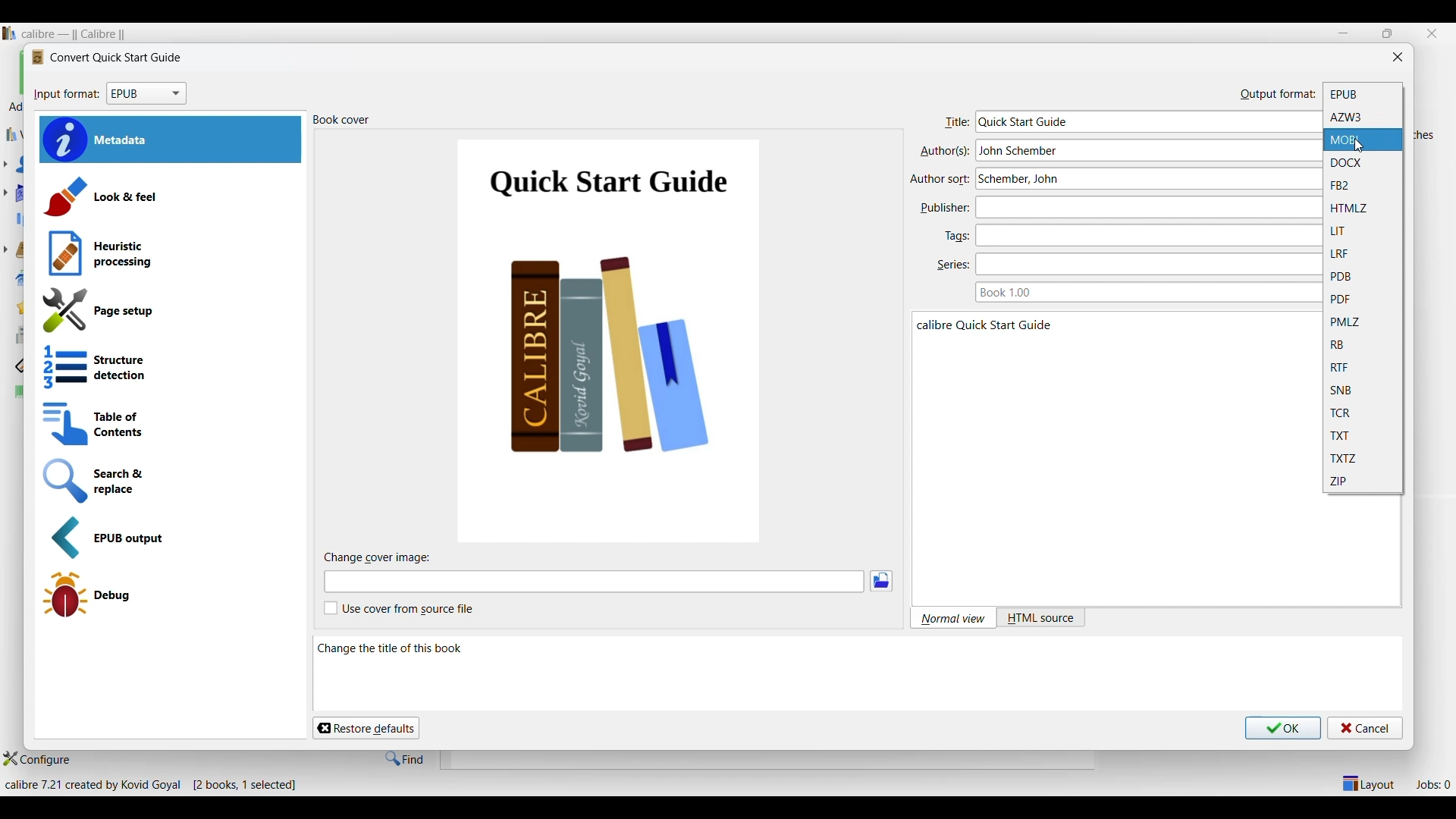  Describe the element at coordinates (1363, 254) in the screenshot. I see `LRF` at that location.